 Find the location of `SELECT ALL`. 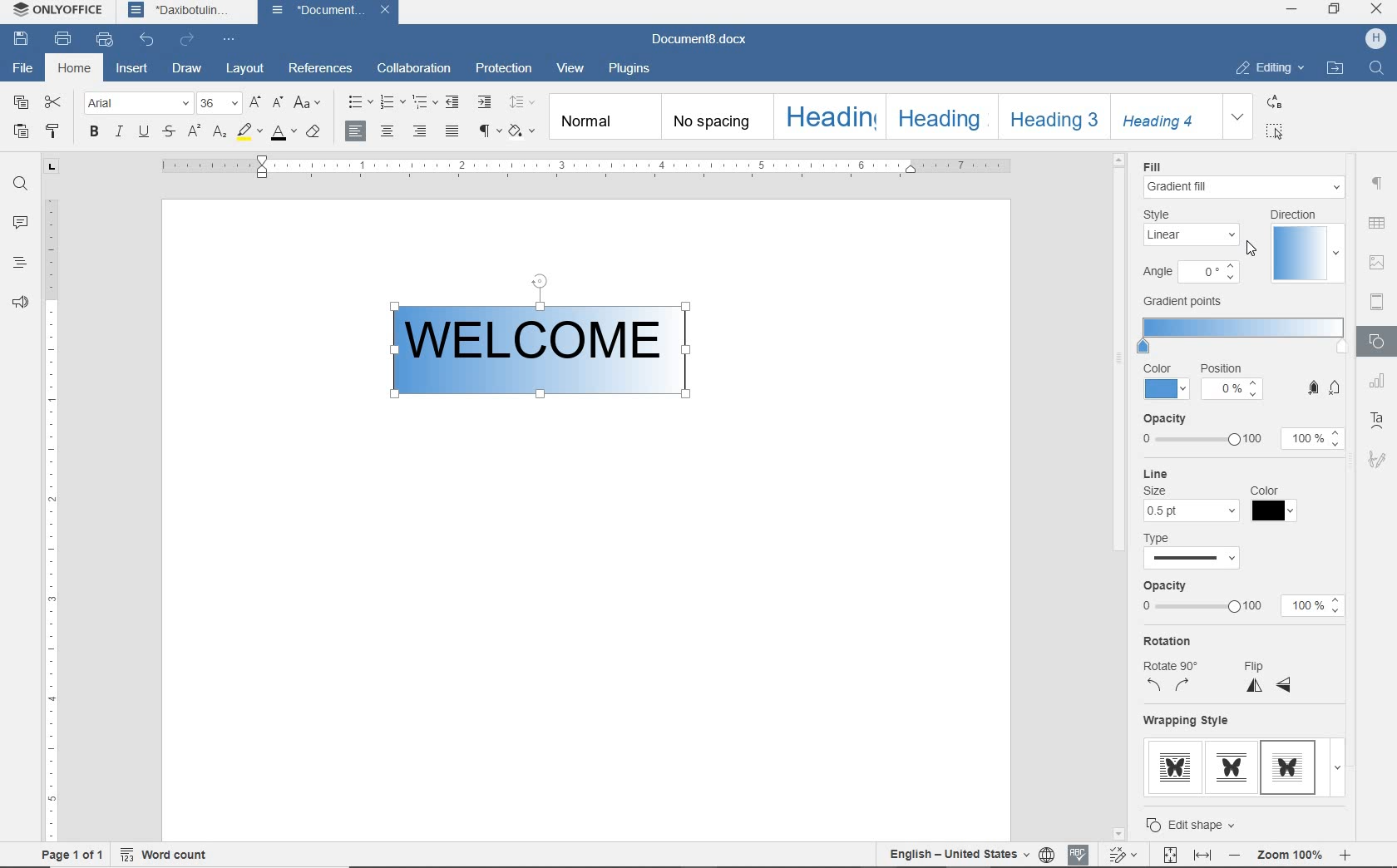

SELECT ALL is located at coordinates (1272, 131).